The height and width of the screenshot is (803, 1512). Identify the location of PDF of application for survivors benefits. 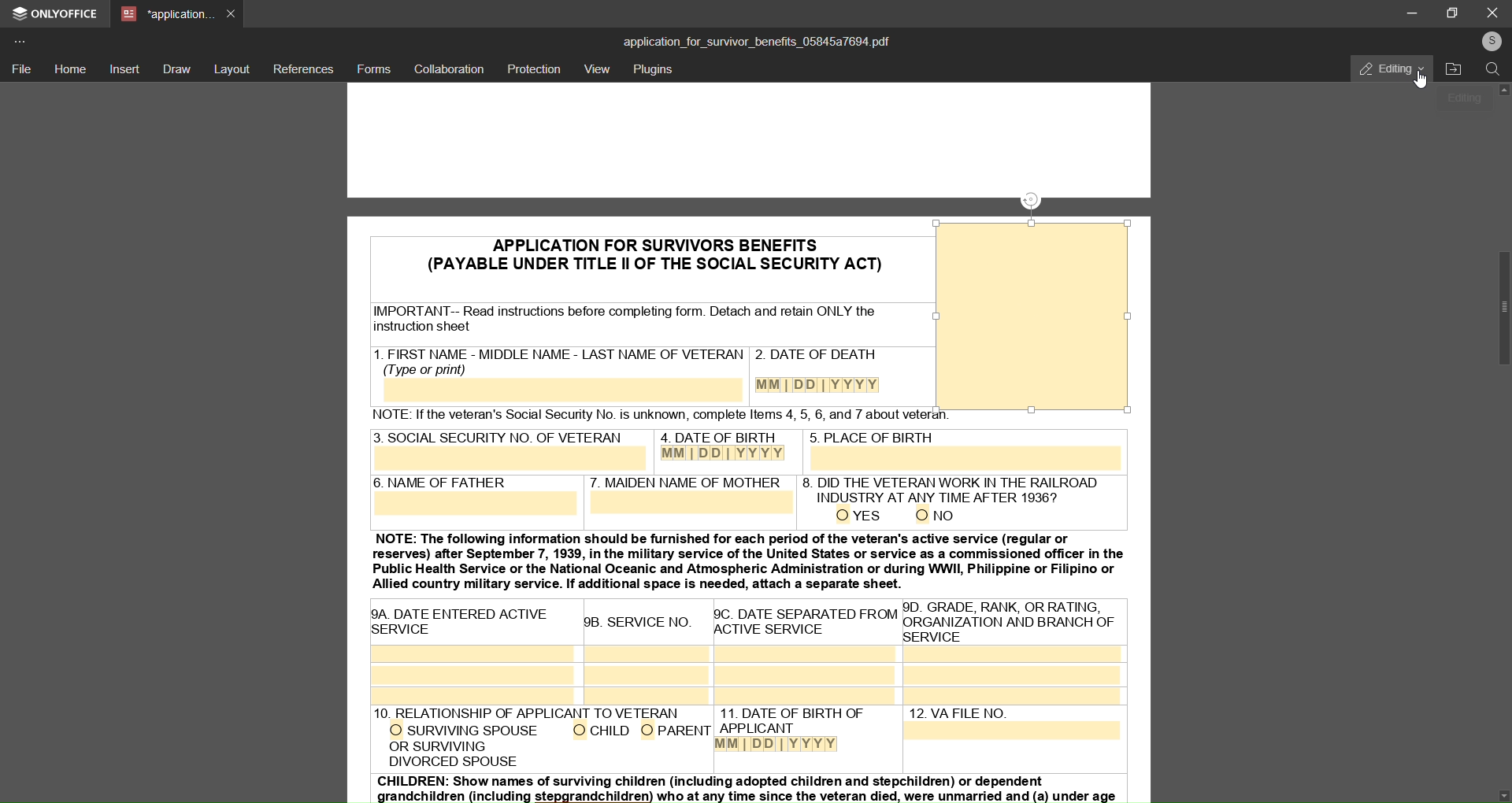
(629, 253).